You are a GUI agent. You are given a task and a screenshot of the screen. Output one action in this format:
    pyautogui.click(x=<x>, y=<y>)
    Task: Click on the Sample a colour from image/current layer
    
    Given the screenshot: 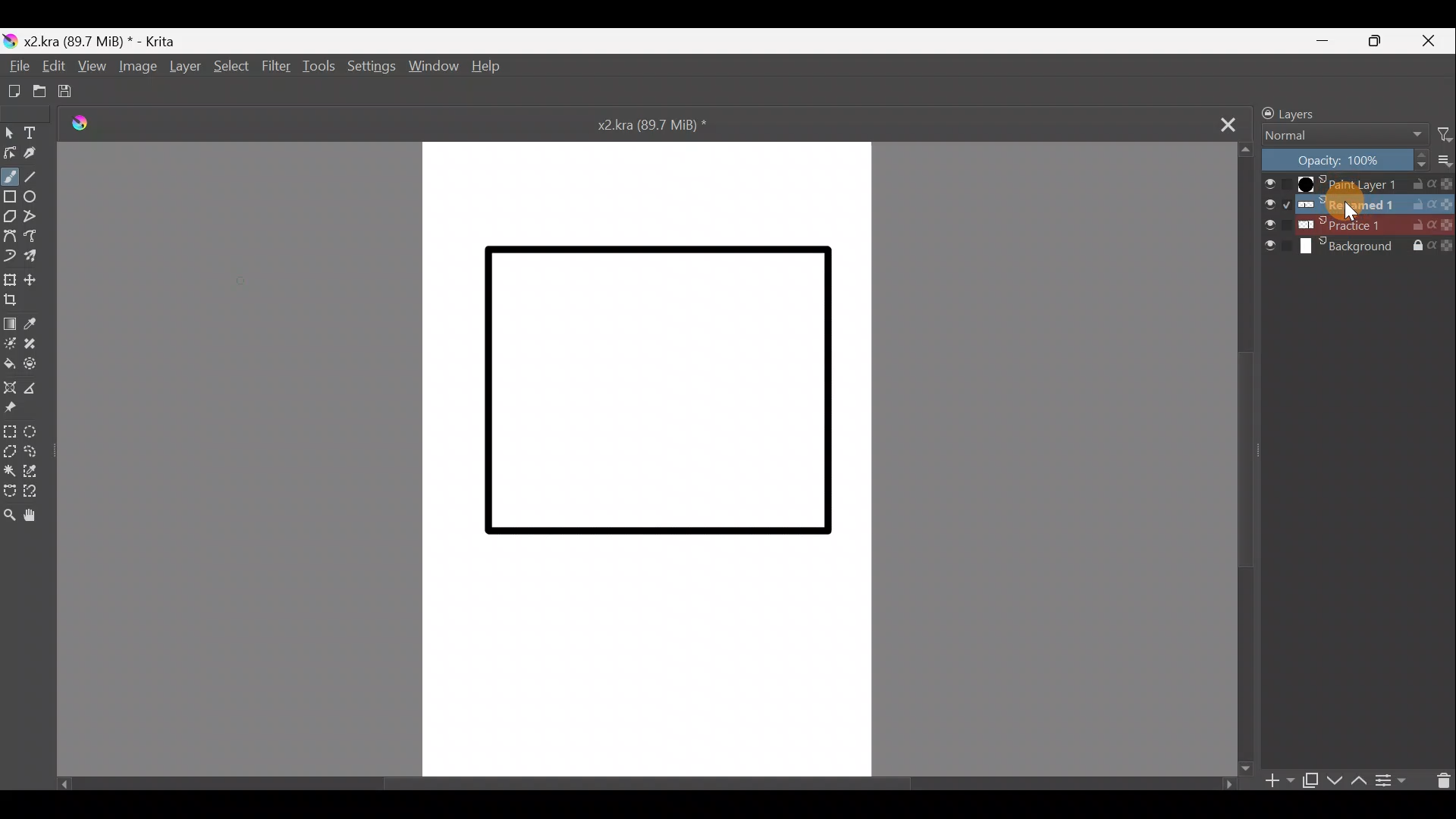 What is the action you would take?
    pyautogui.click(x=37, y=324)
    